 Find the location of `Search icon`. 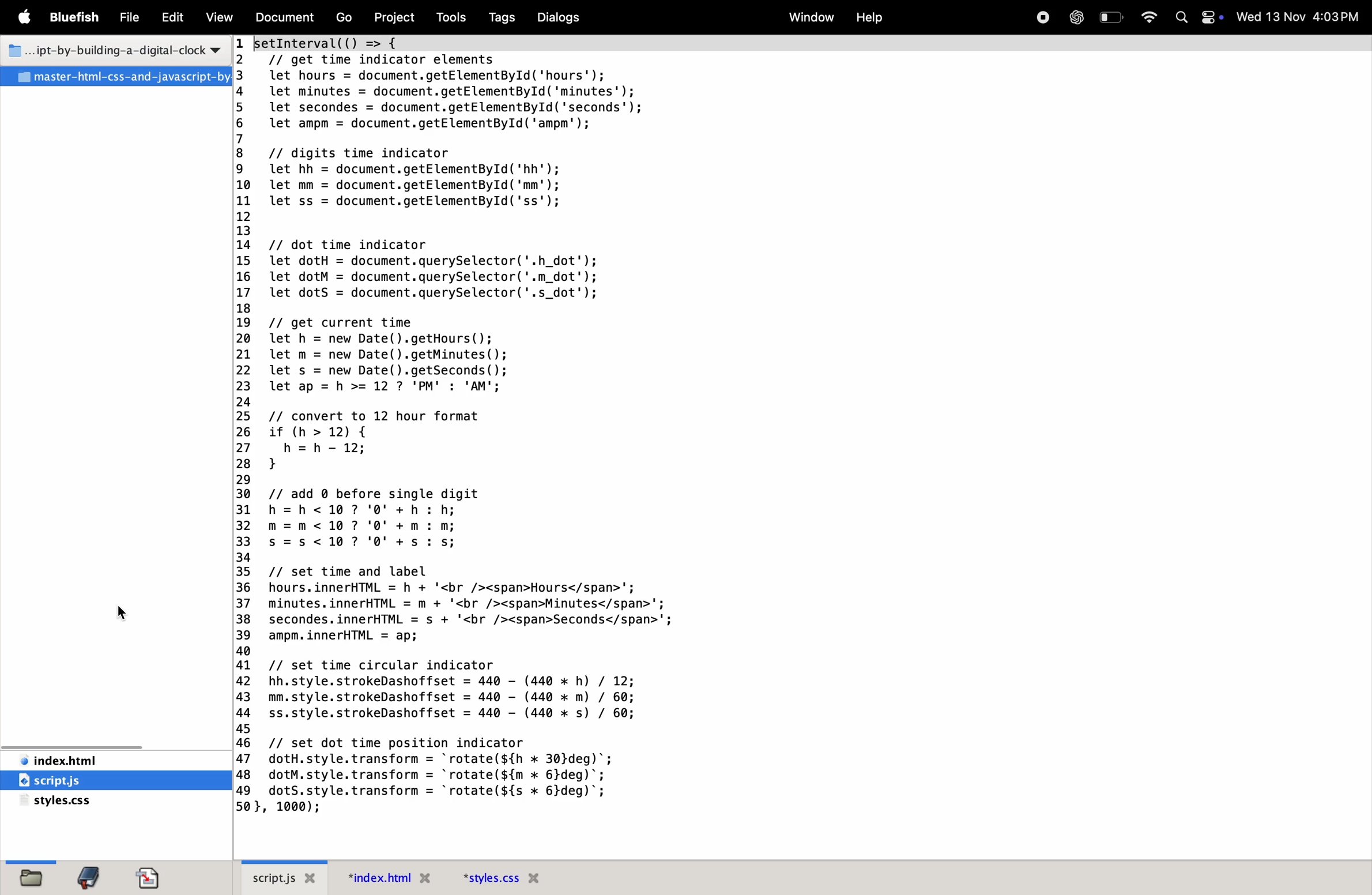

Search icon is located at coordinates (1181, 17).